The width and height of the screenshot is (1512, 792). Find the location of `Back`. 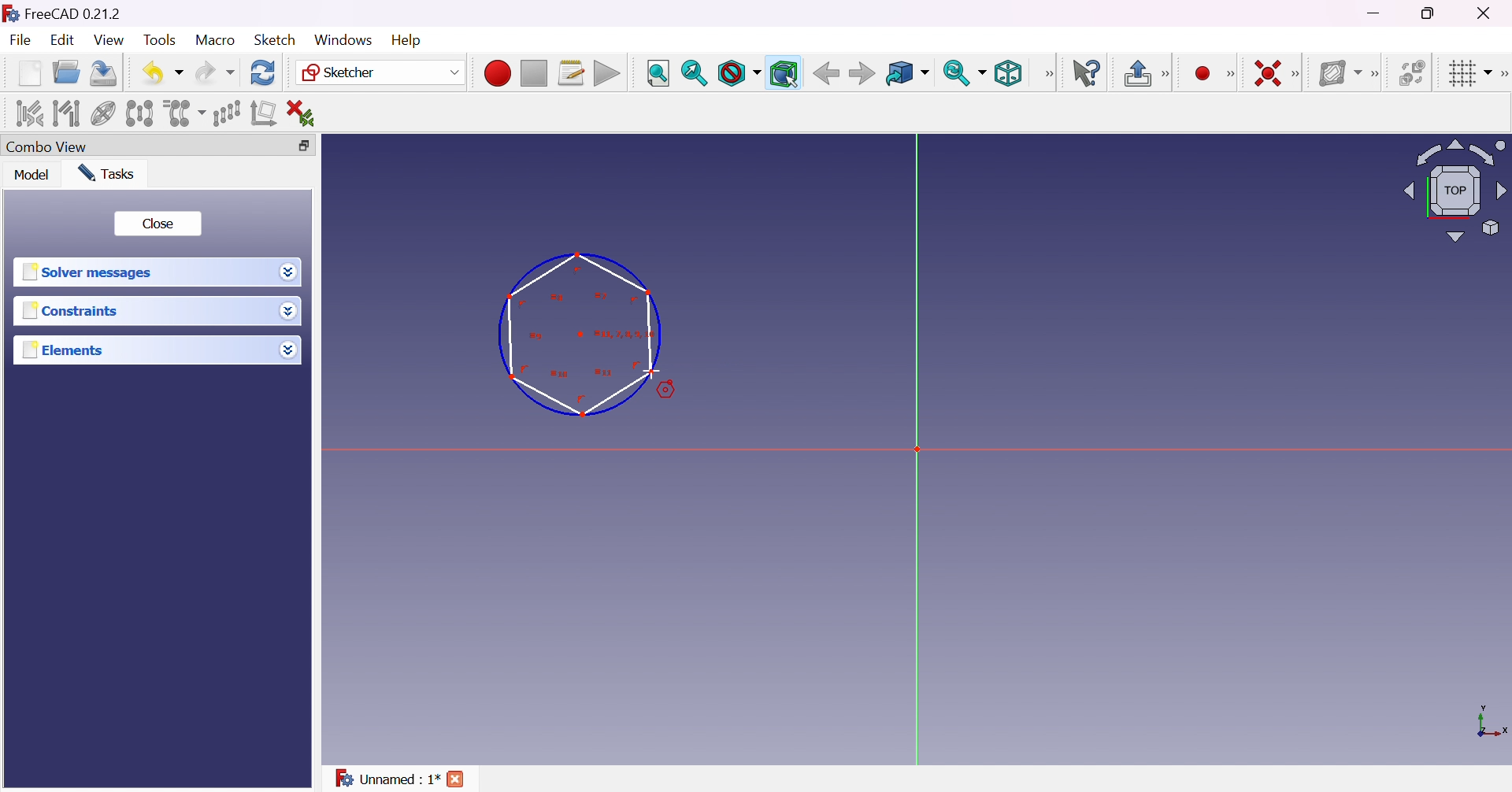

Back is located at coordinates (823, 73).